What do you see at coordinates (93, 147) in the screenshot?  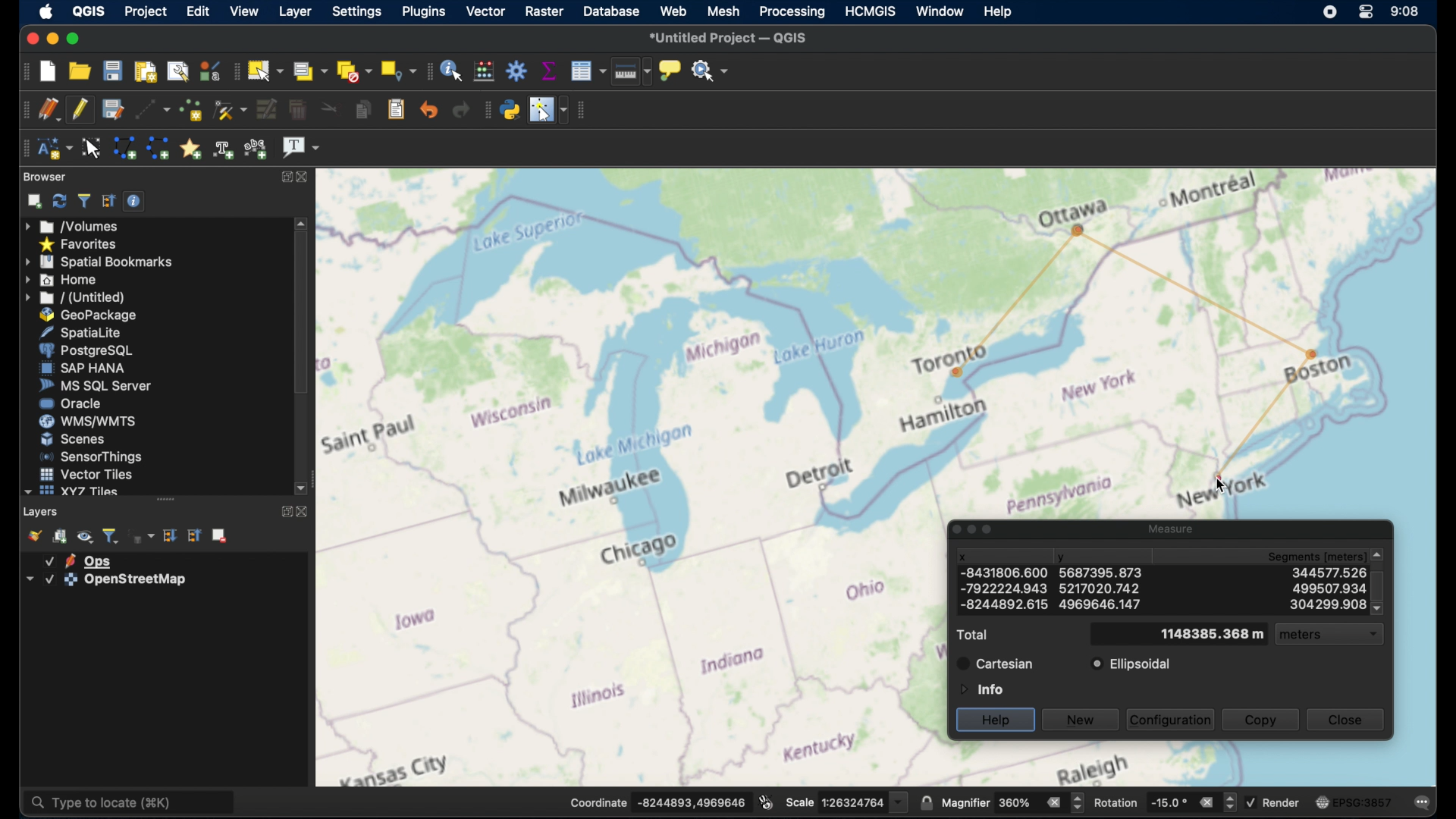 I see `modify annotations` at bounding box center [93, 147].